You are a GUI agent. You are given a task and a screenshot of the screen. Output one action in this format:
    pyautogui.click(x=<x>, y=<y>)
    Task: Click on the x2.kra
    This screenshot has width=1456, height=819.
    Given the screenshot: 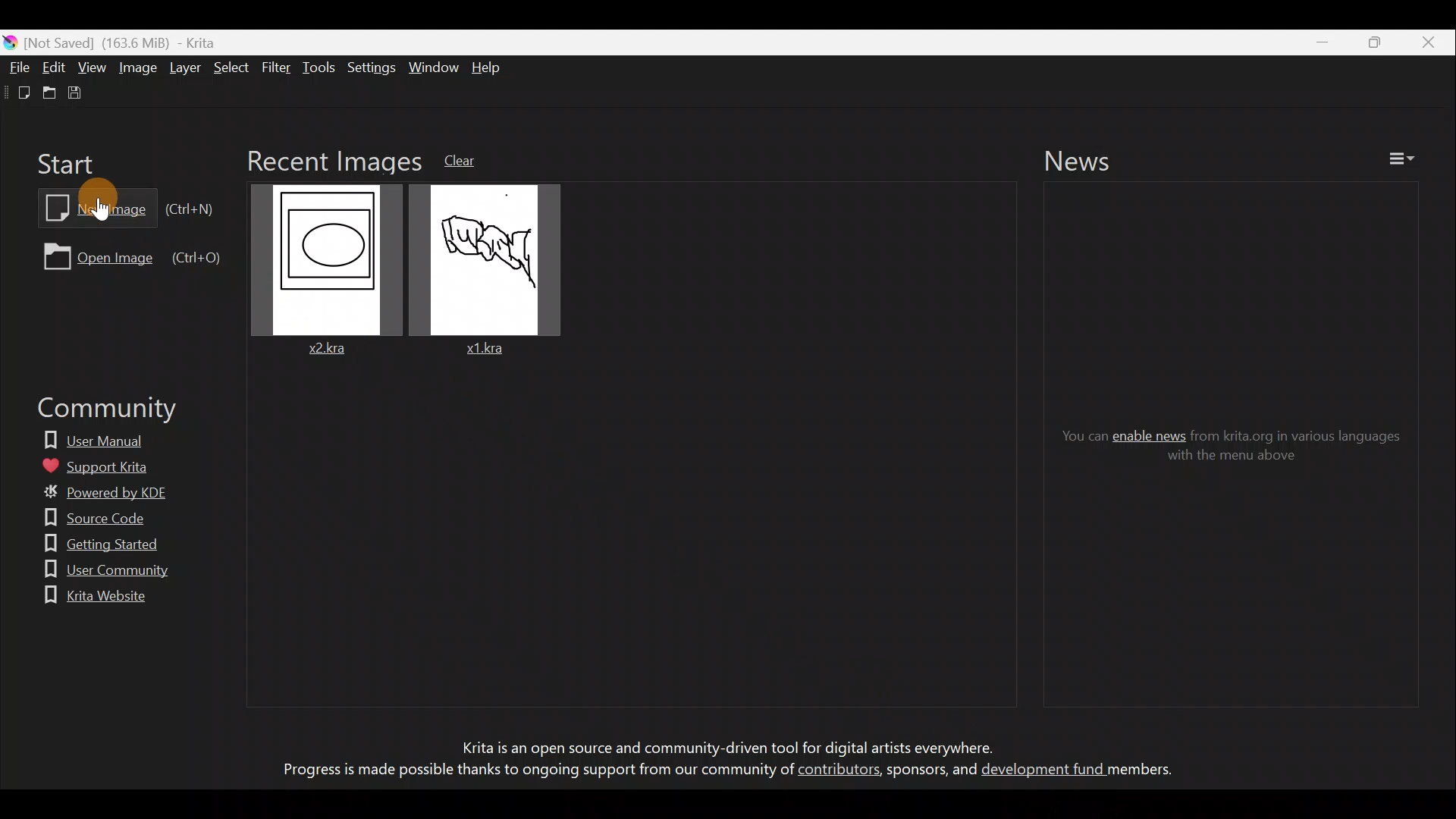 What is the action you would take?
    pyautogui.click(x=328, y=274)
    